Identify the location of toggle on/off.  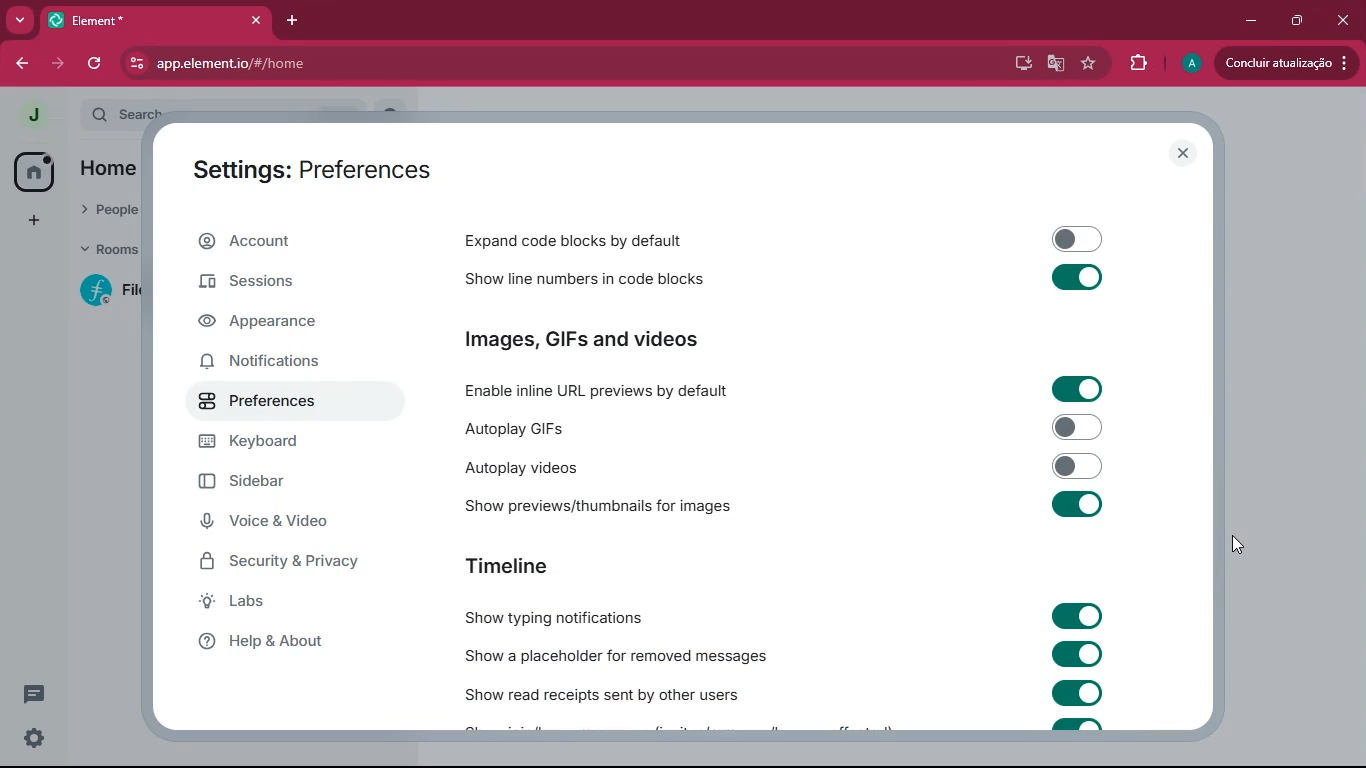
(1079, 692).